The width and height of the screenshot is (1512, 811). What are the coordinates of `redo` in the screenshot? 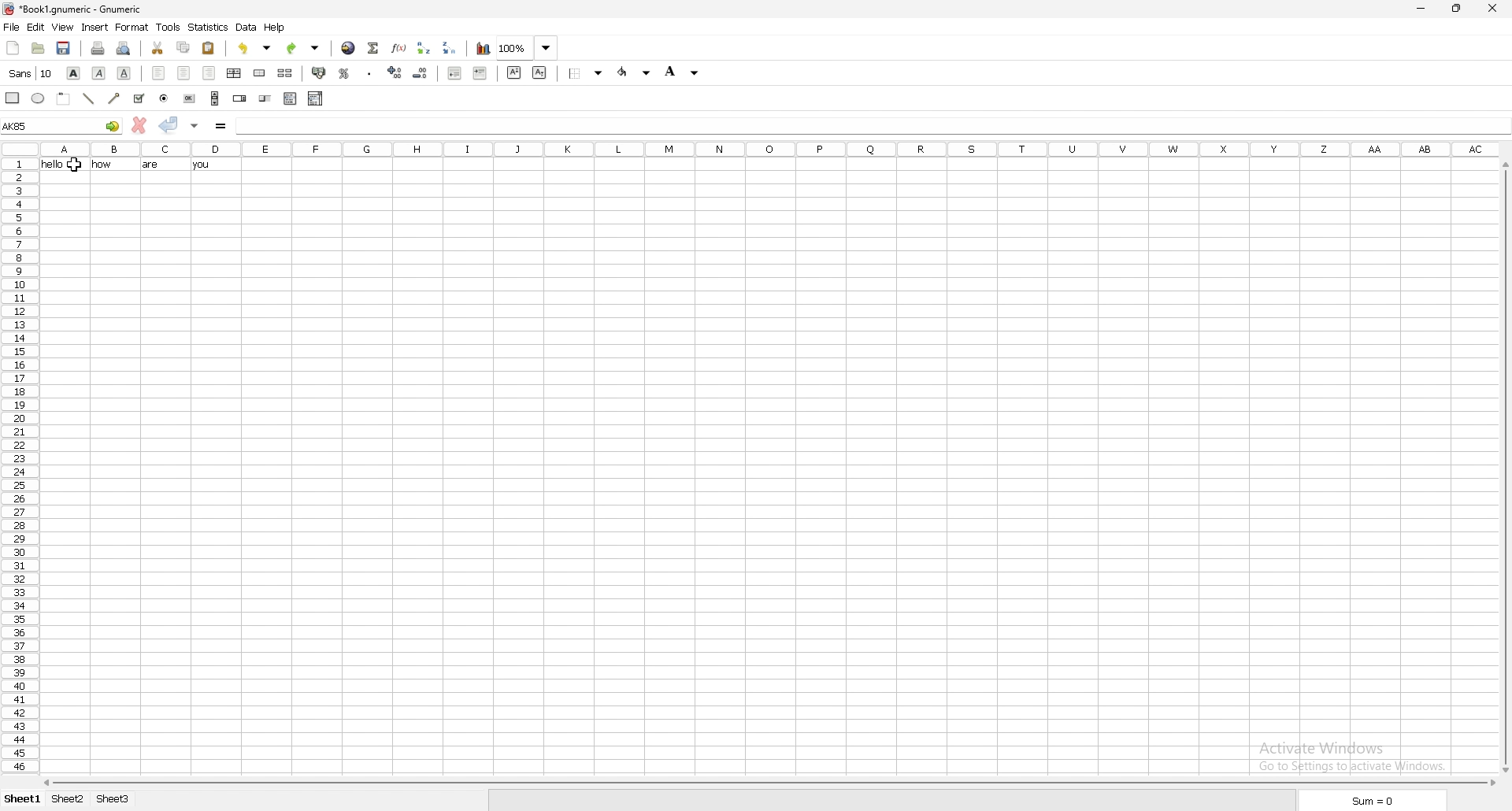 It's located at (304, 47).